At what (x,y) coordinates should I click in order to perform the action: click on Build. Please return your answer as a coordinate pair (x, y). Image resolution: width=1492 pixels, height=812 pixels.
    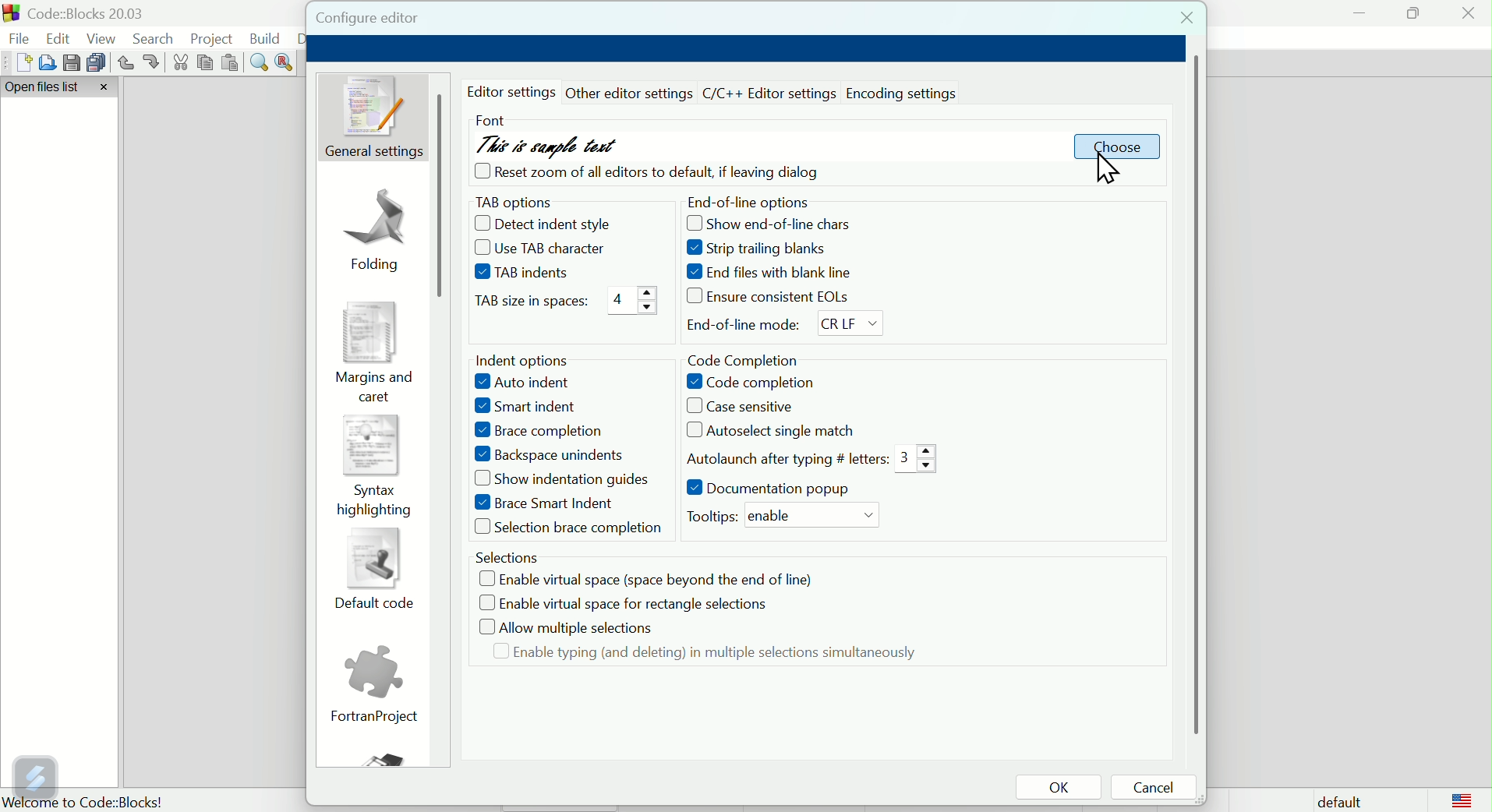
    Looking at the image, I should click on (266, 38).